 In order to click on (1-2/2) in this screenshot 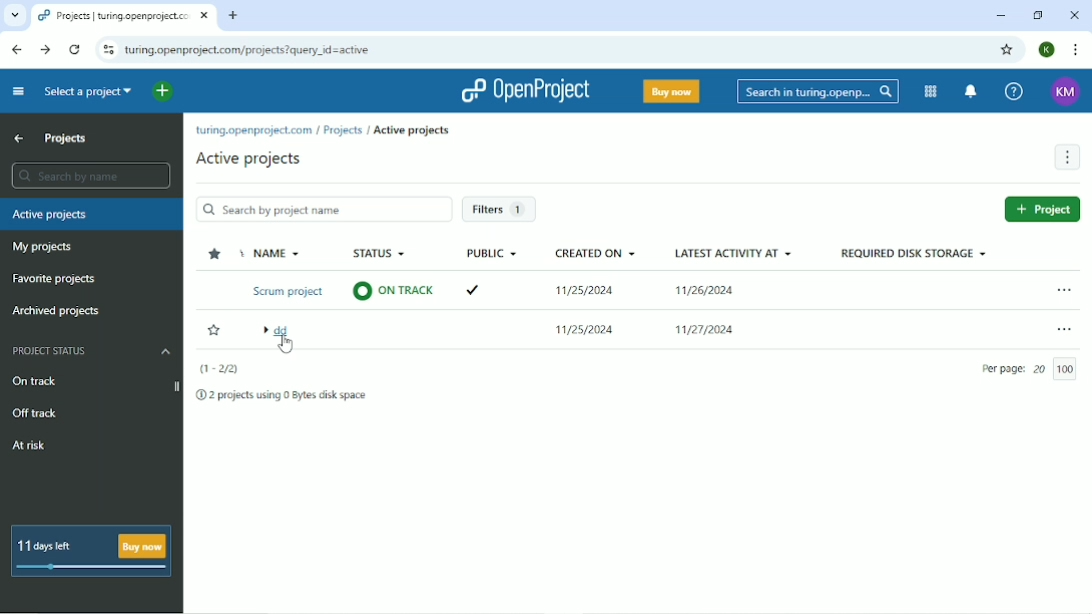, I will do `click(223, 369)`.